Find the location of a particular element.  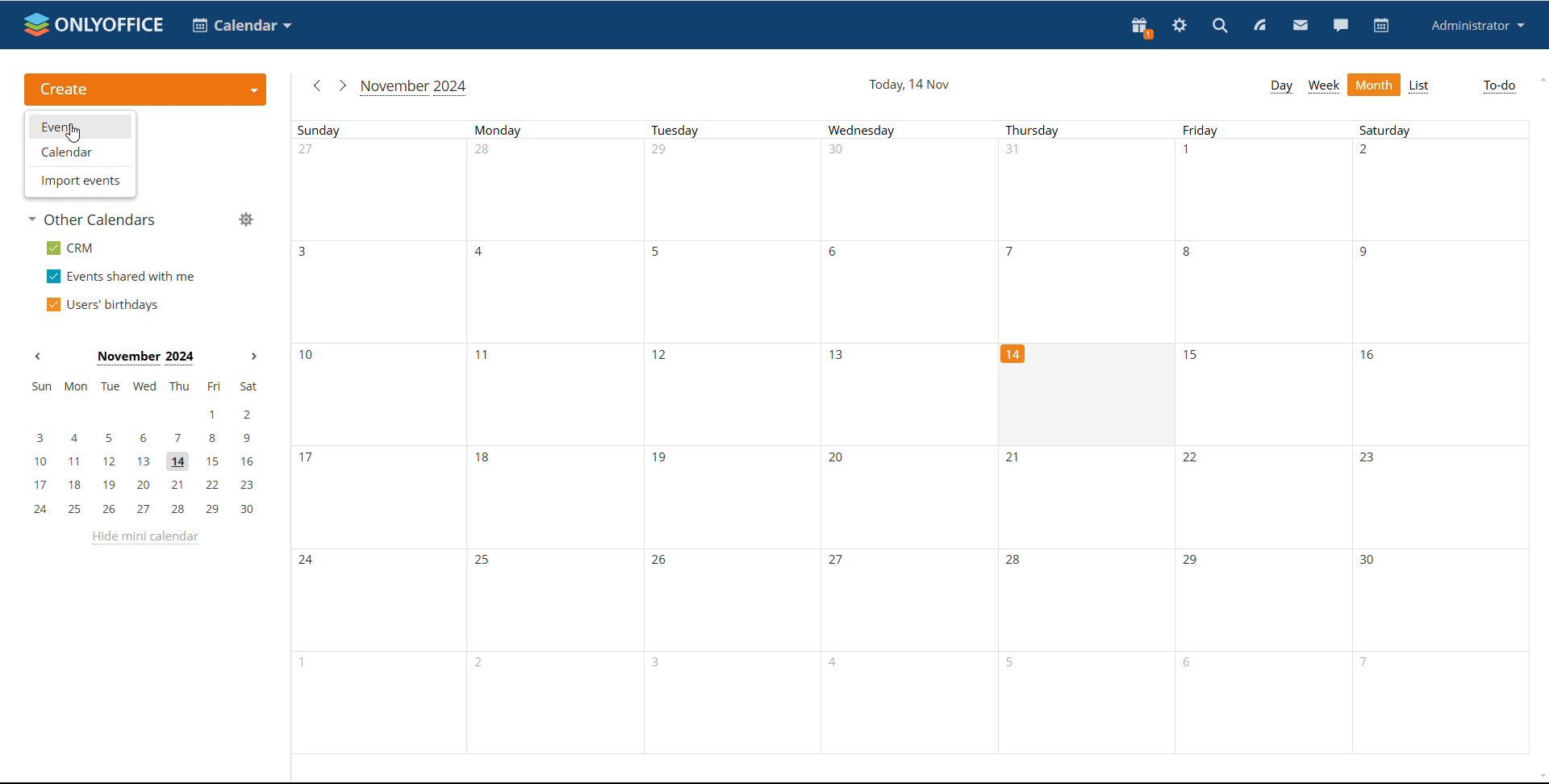

3, 4, 5, 6, 7, 8, 9 is located at coordinates (144, 436).